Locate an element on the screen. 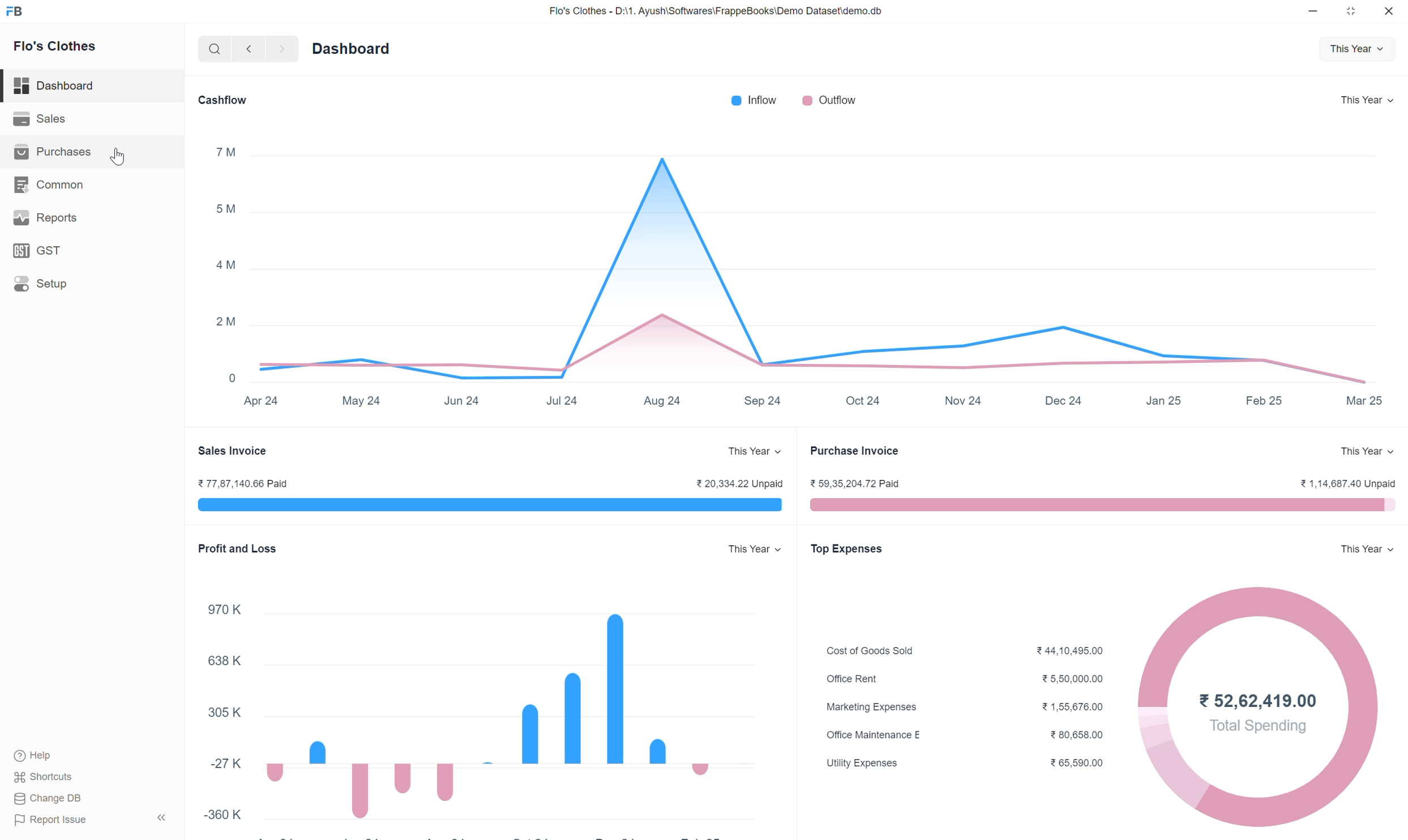 The width and height of the screenshot is (1408, 840). Feb 25 is located at coordinates (1264, 400).